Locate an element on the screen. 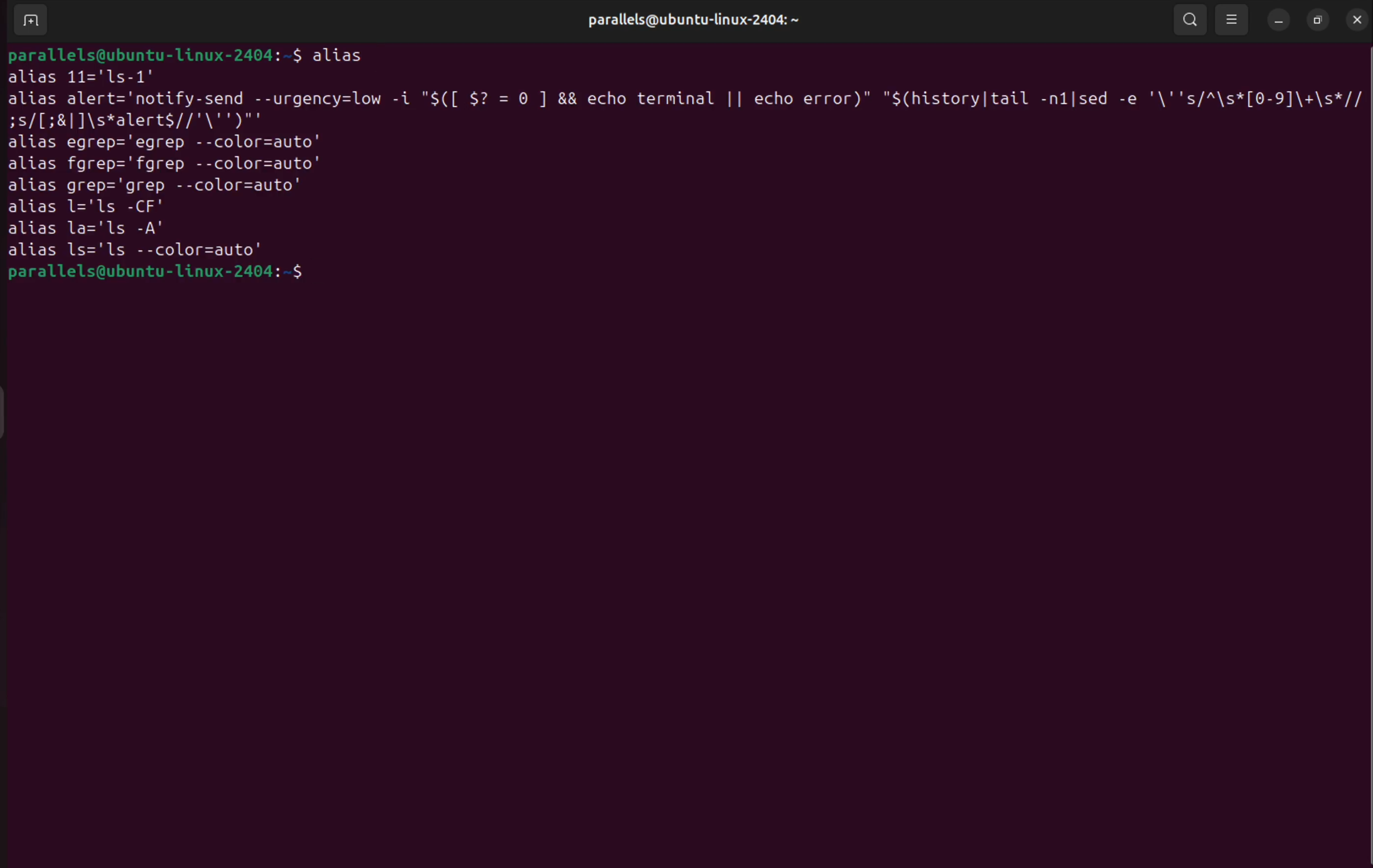  alias alert is located at coordinates (684, 112).